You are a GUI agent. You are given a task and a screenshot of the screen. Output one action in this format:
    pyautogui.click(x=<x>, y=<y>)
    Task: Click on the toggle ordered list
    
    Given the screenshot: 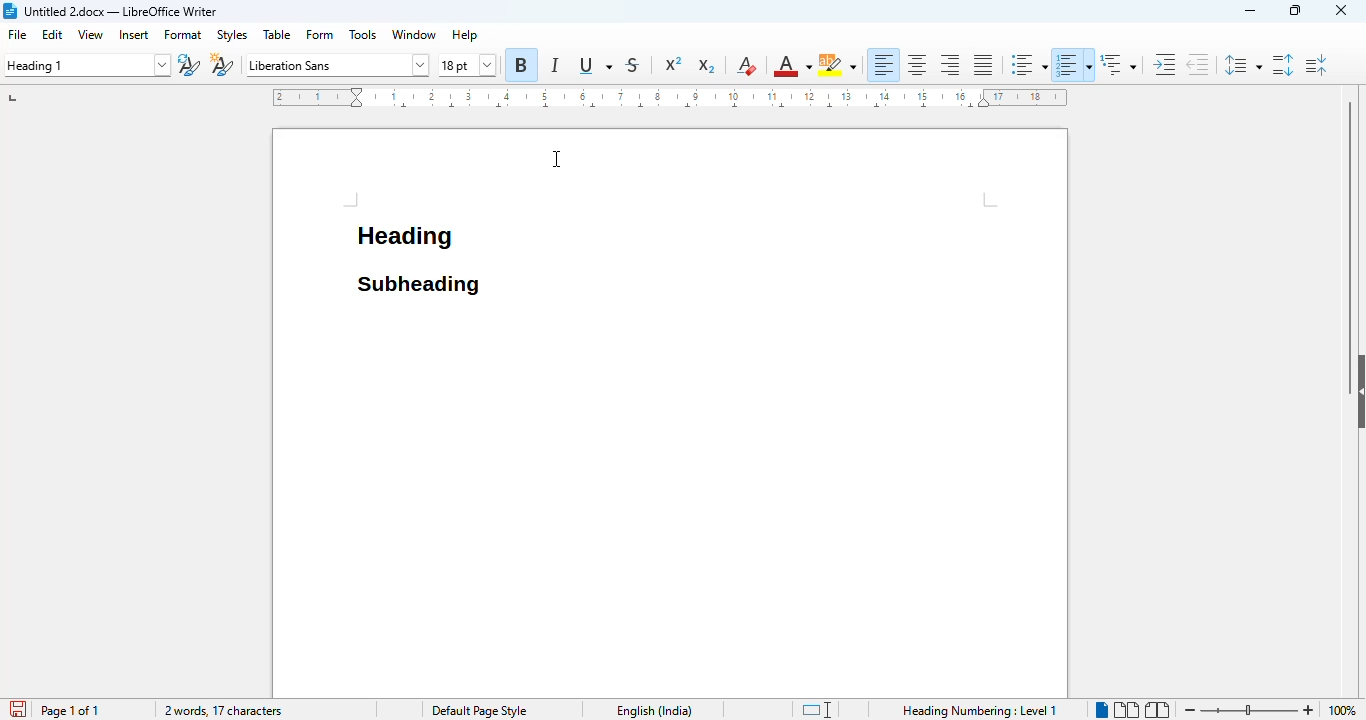 What is the action you would take?
    pyautogui.click(x=1074, y=64)
    